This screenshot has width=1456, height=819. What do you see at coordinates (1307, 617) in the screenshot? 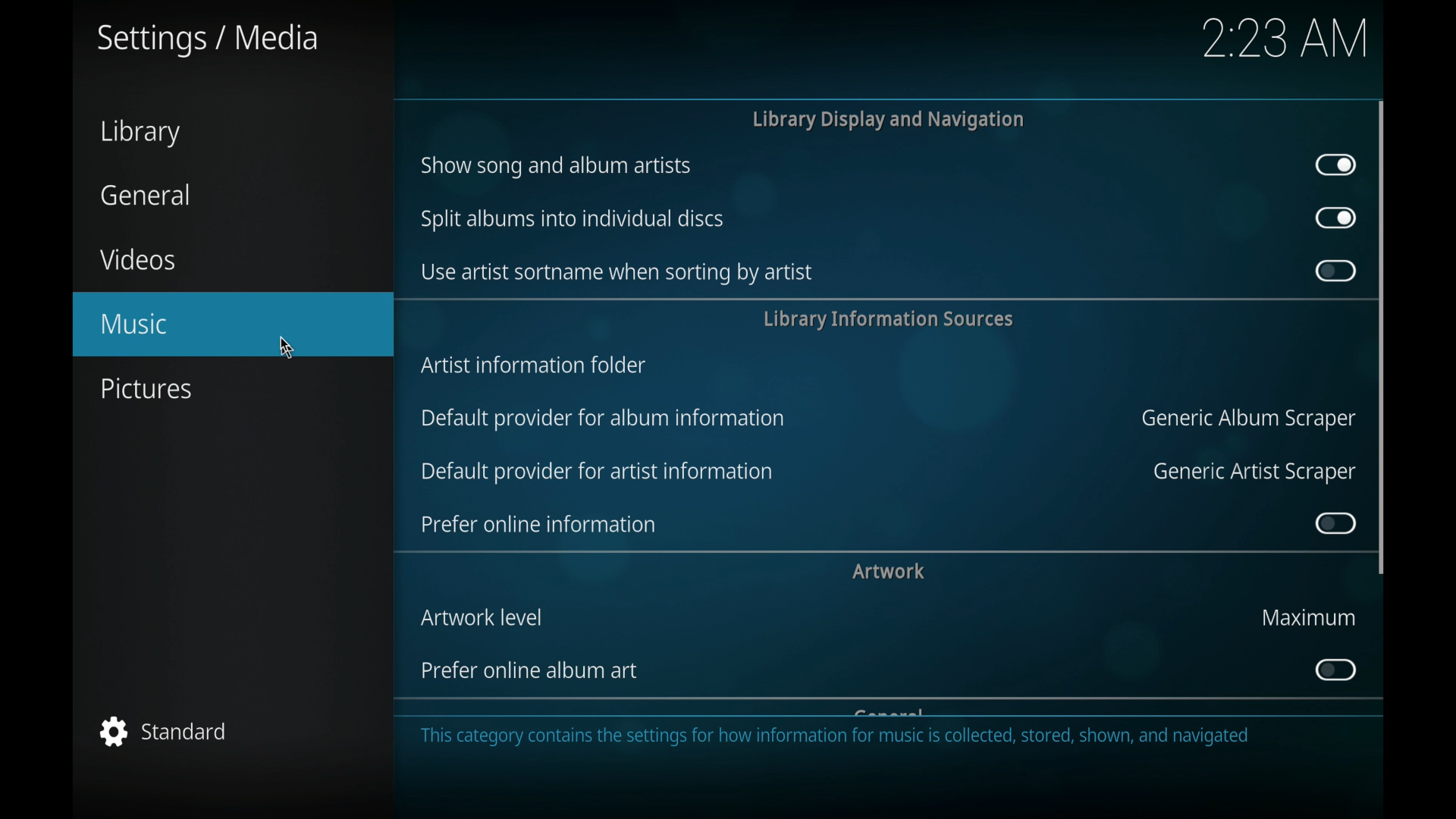
I see `maximum` at bounding box center [1307, 617].